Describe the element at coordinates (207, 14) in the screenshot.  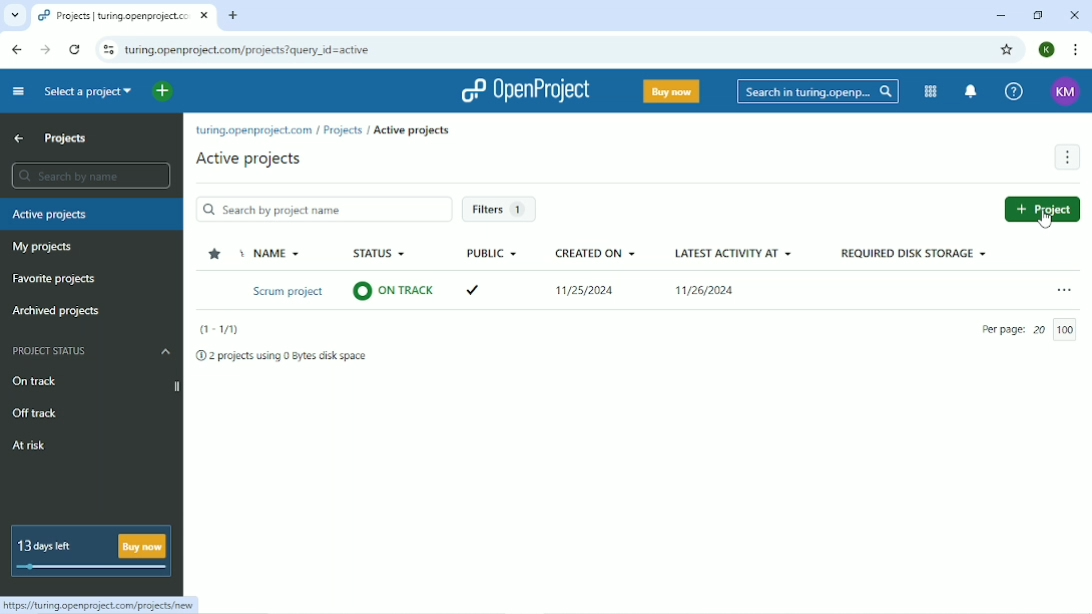
I see `close` at that location.